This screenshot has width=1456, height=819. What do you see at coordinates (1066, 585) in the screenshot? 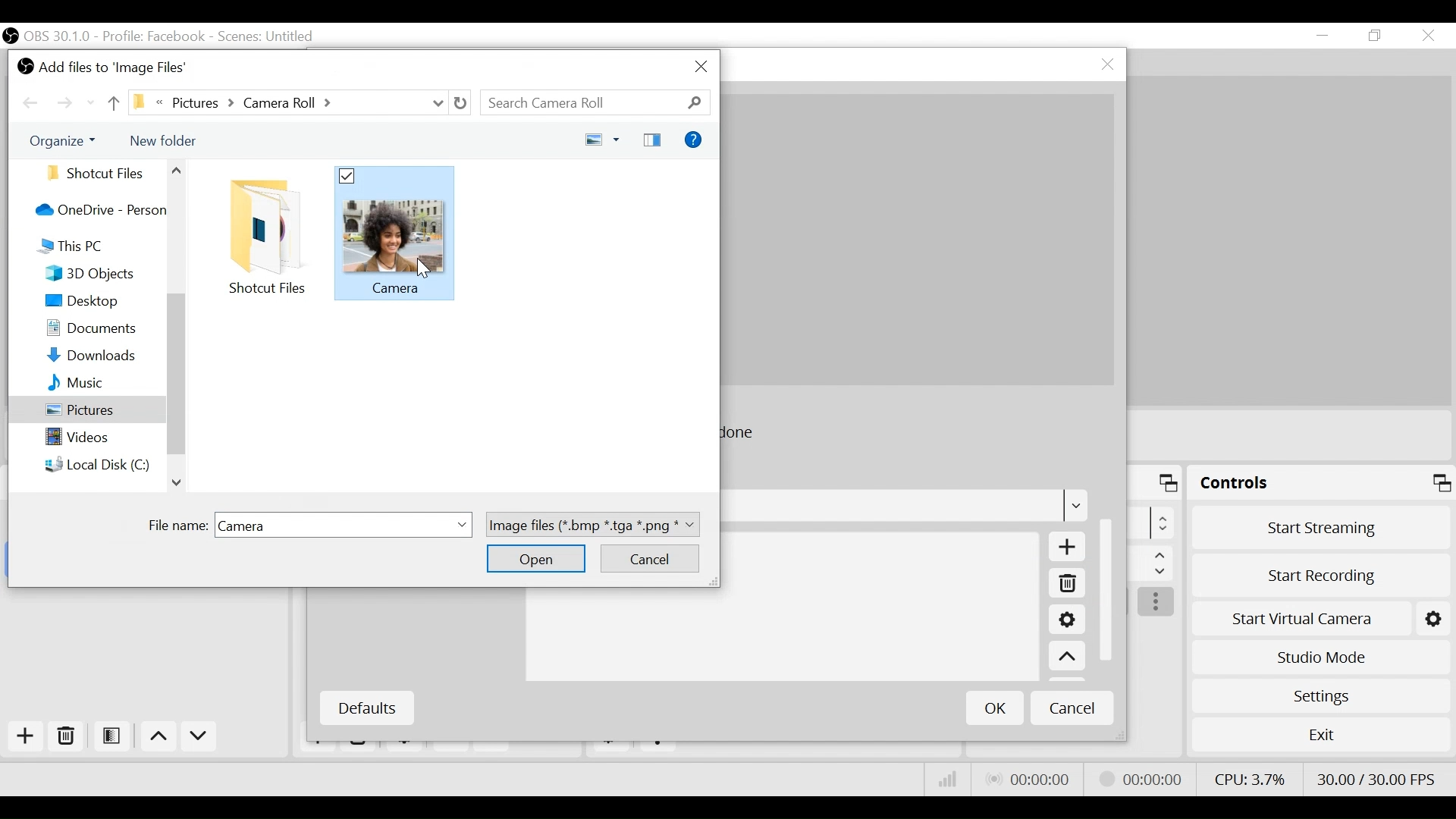
I see `Remove` at bounding box center [1066, 585].